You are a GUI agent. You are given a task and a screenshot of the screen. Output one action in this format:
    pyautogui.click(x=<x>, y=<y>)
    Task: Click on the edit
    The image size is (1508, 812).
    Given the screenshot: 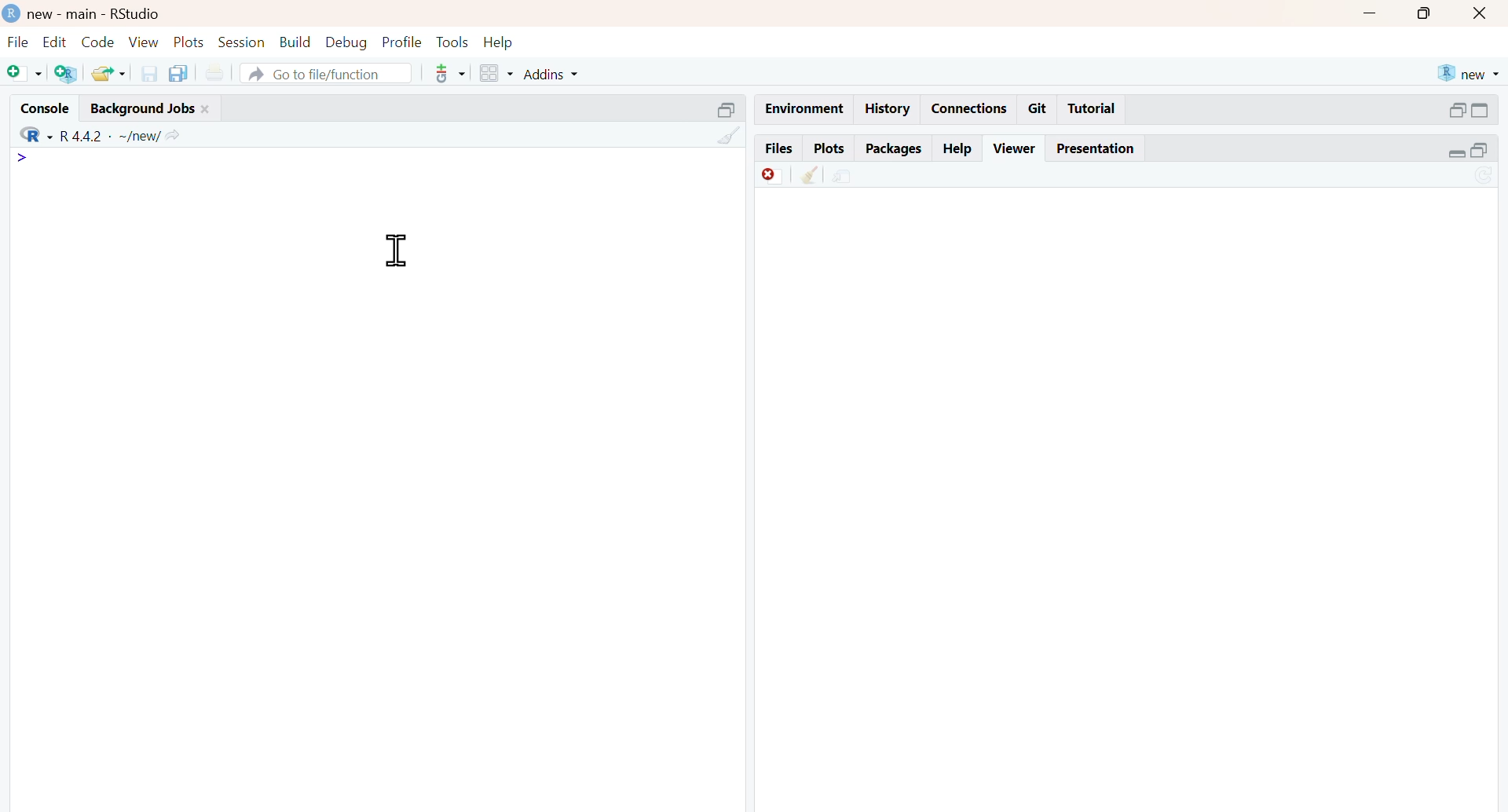 What is the action you would take?
    pyautogui.click(x=55, y=42)
    